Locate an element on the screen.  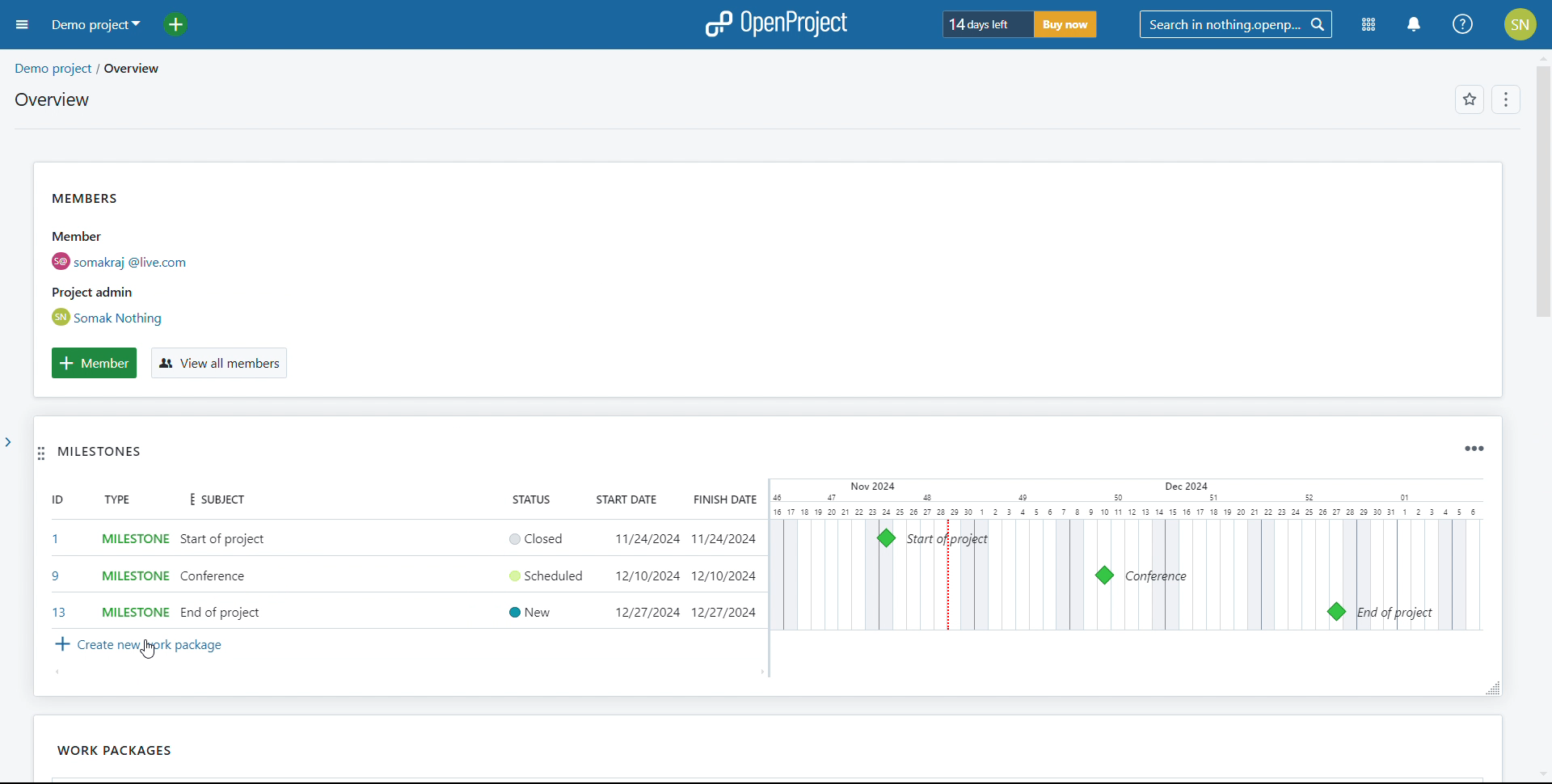
add subject is located at coordinates (226, 575).